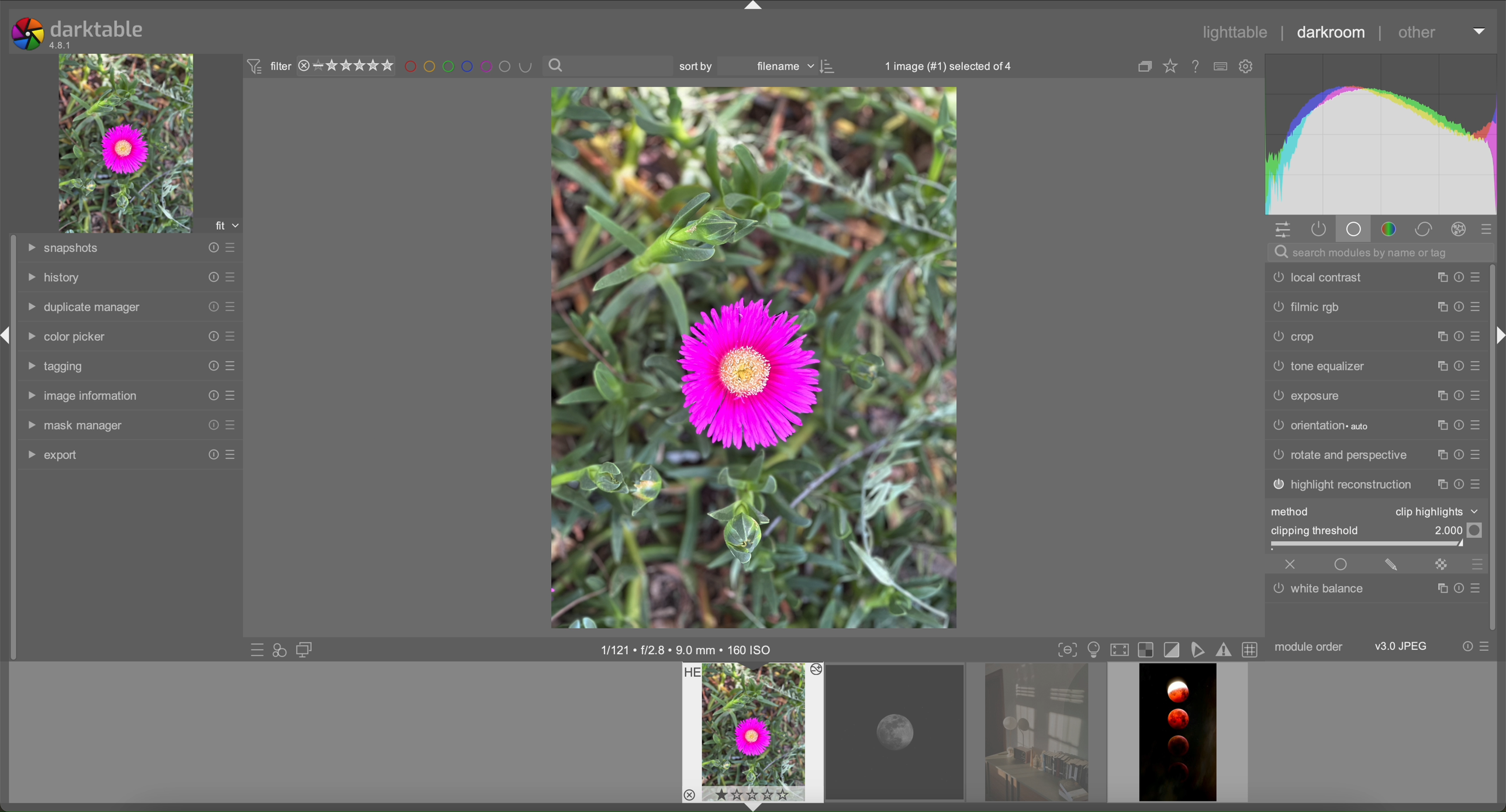 This screenshot has width=1506, height=812. Describe the element at coordinates (81, 396) in the screenshot. I see `image information tab` at that location.